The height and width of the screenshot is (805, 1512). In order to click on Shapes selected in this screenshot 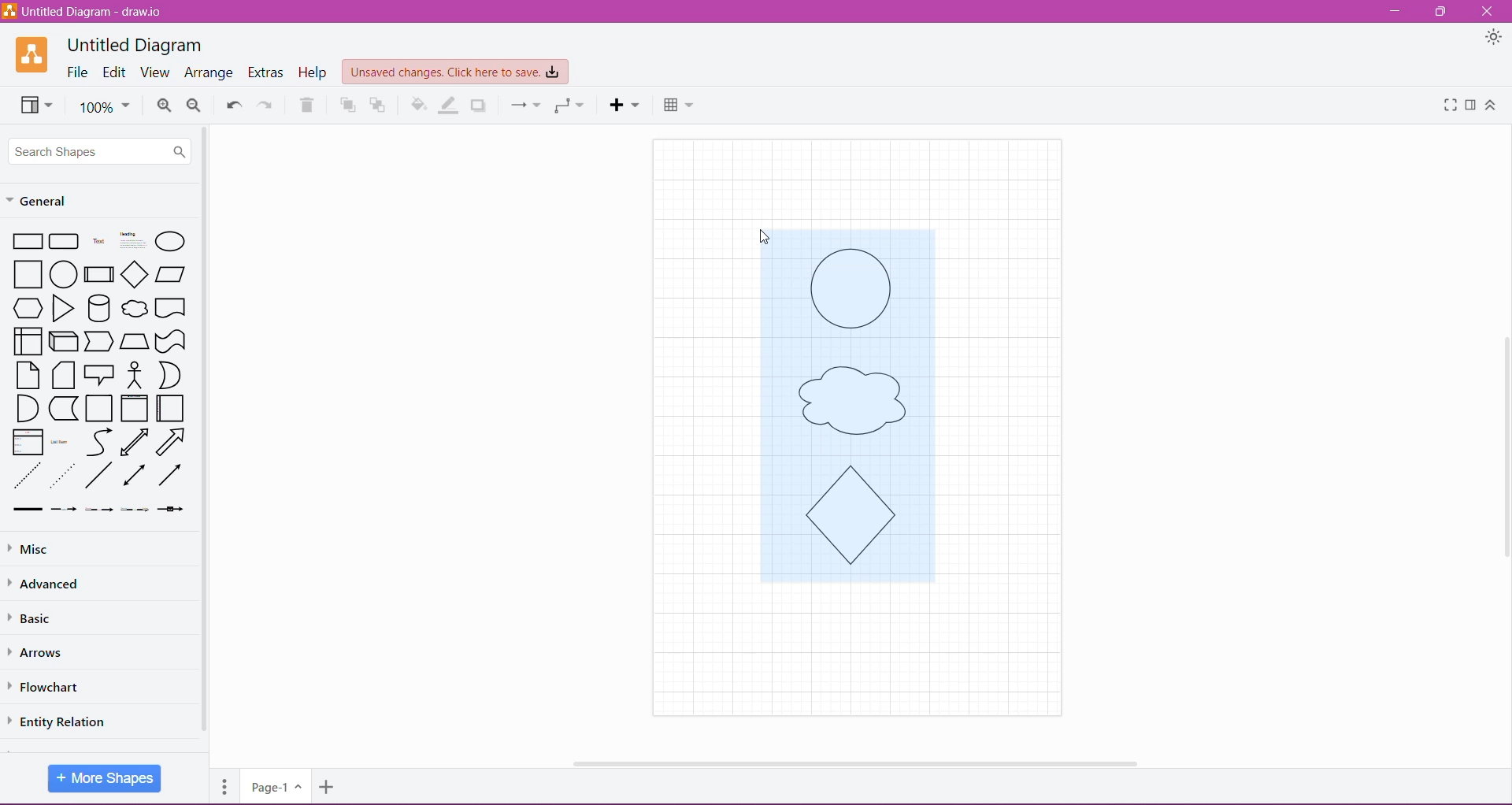, I will do `click(868, 421)`.